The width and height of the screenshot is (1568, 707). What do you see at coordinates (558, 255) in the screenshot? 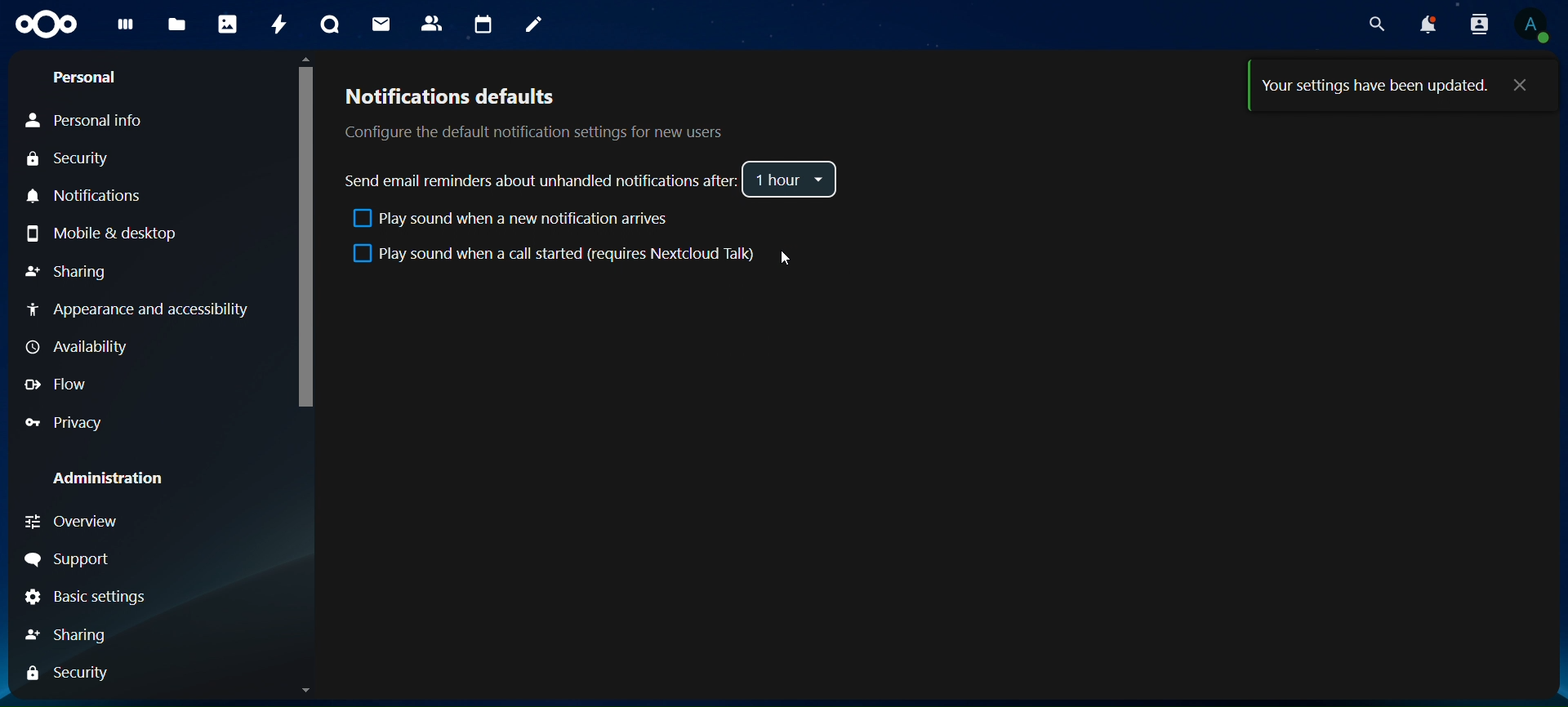
I see `play sound when a call started ` at bounding box center [558, 255].